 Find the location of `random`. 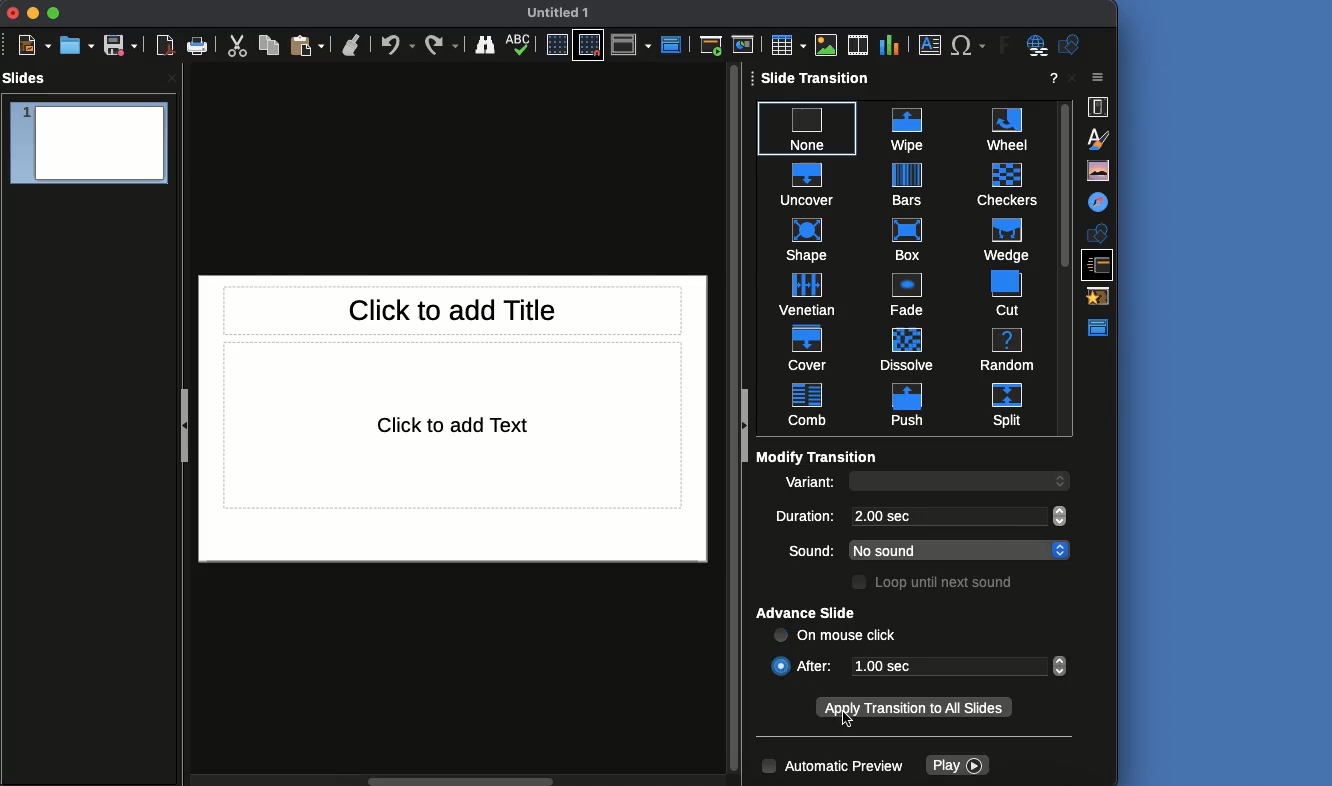

random is located at coordinates (1005, 349).